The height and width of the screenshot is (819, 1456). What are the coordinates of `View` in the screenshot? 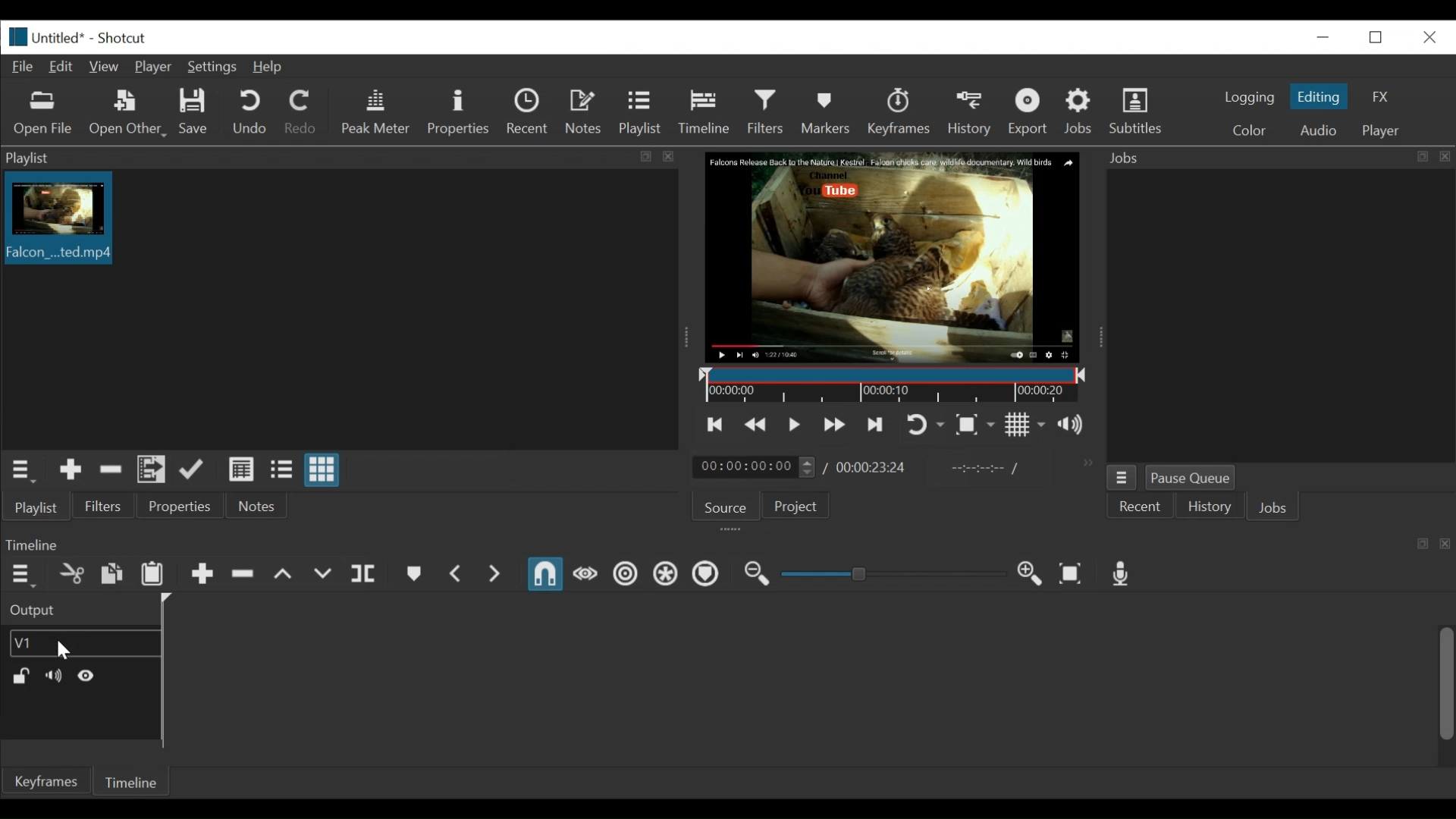 It's located at (105, 66).